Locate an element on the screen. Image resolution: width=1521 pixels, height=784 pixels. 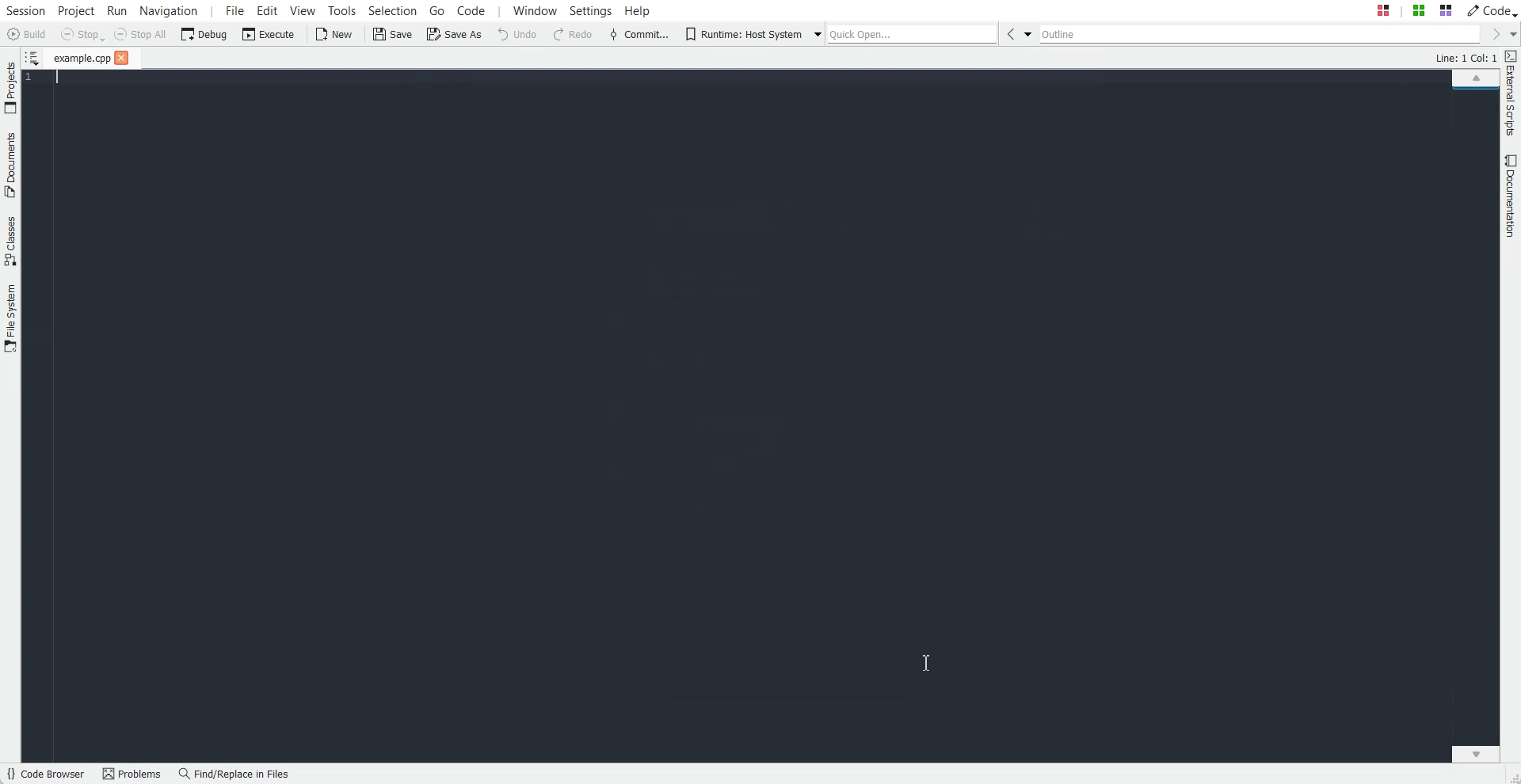
Undo is located at coordinates (517, 35).